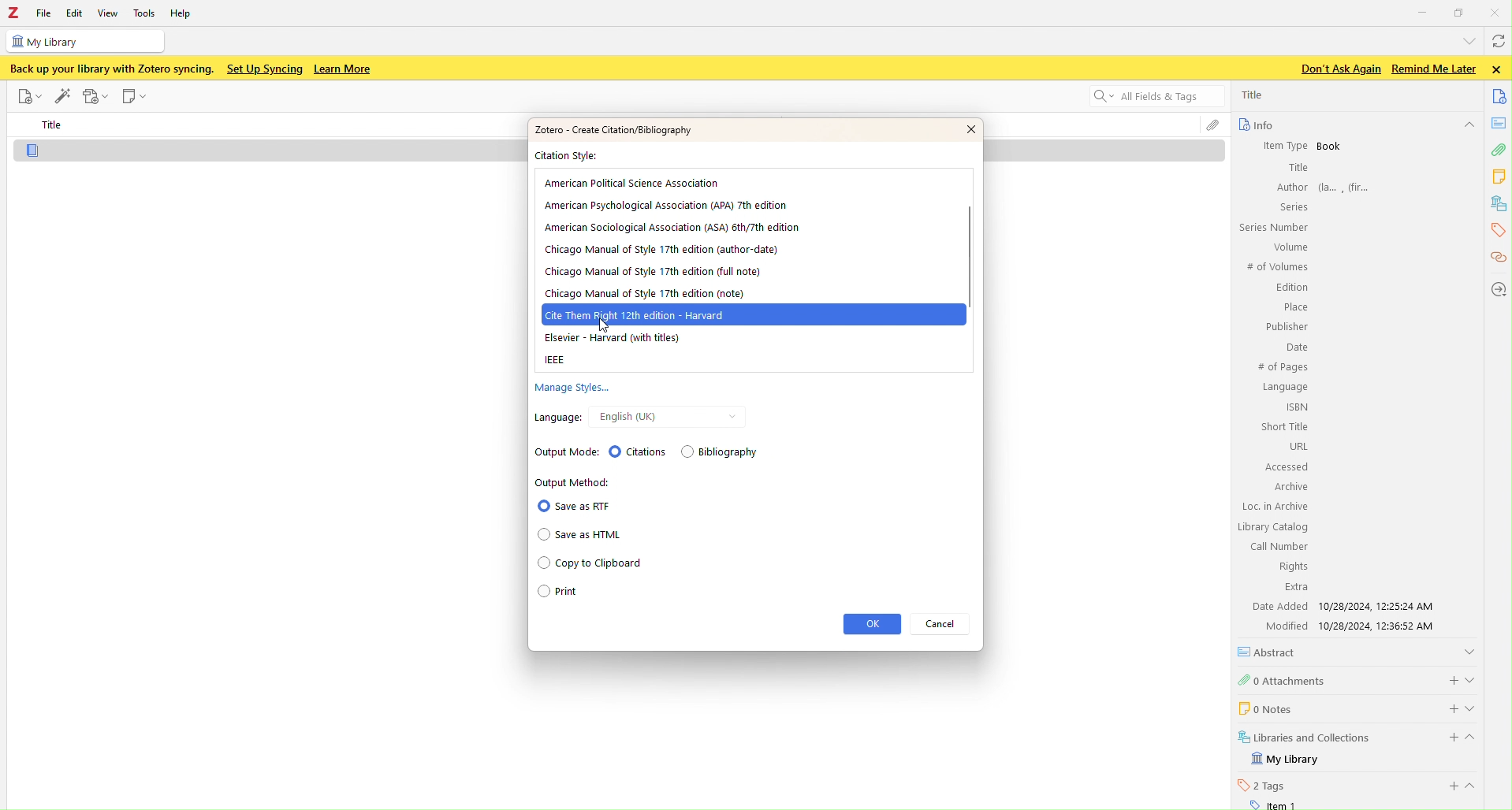  Describe the element at coordinates (555, 417) in the screenshot. I see `Language:` at that location.